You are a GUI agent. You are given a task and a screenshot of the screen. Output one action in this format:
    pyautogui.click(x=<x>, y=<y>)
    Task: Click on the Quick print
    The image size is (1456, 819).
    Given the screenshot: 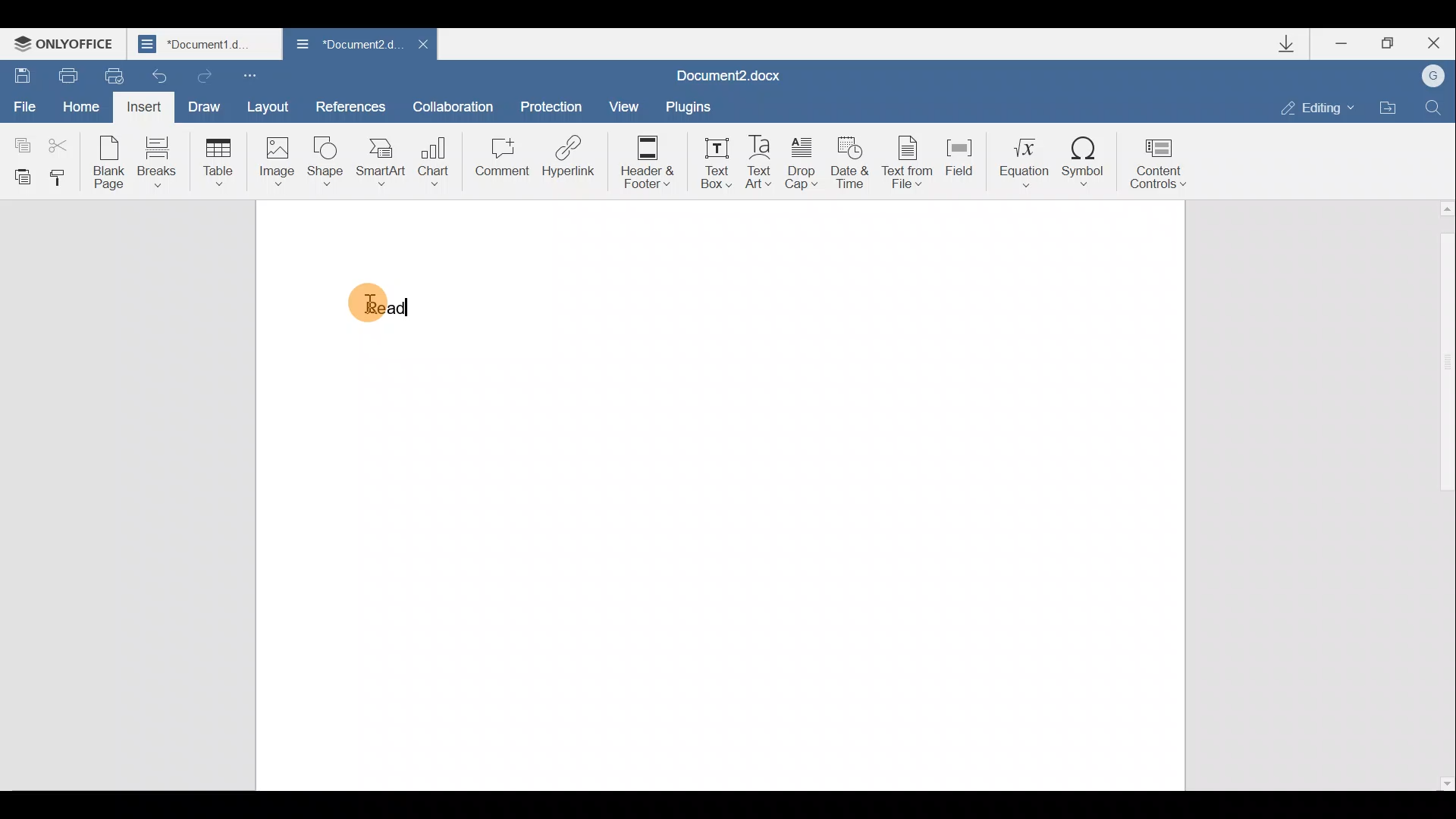 What is the action you would take?
    pyautogui.click(x=108, y=74)
    